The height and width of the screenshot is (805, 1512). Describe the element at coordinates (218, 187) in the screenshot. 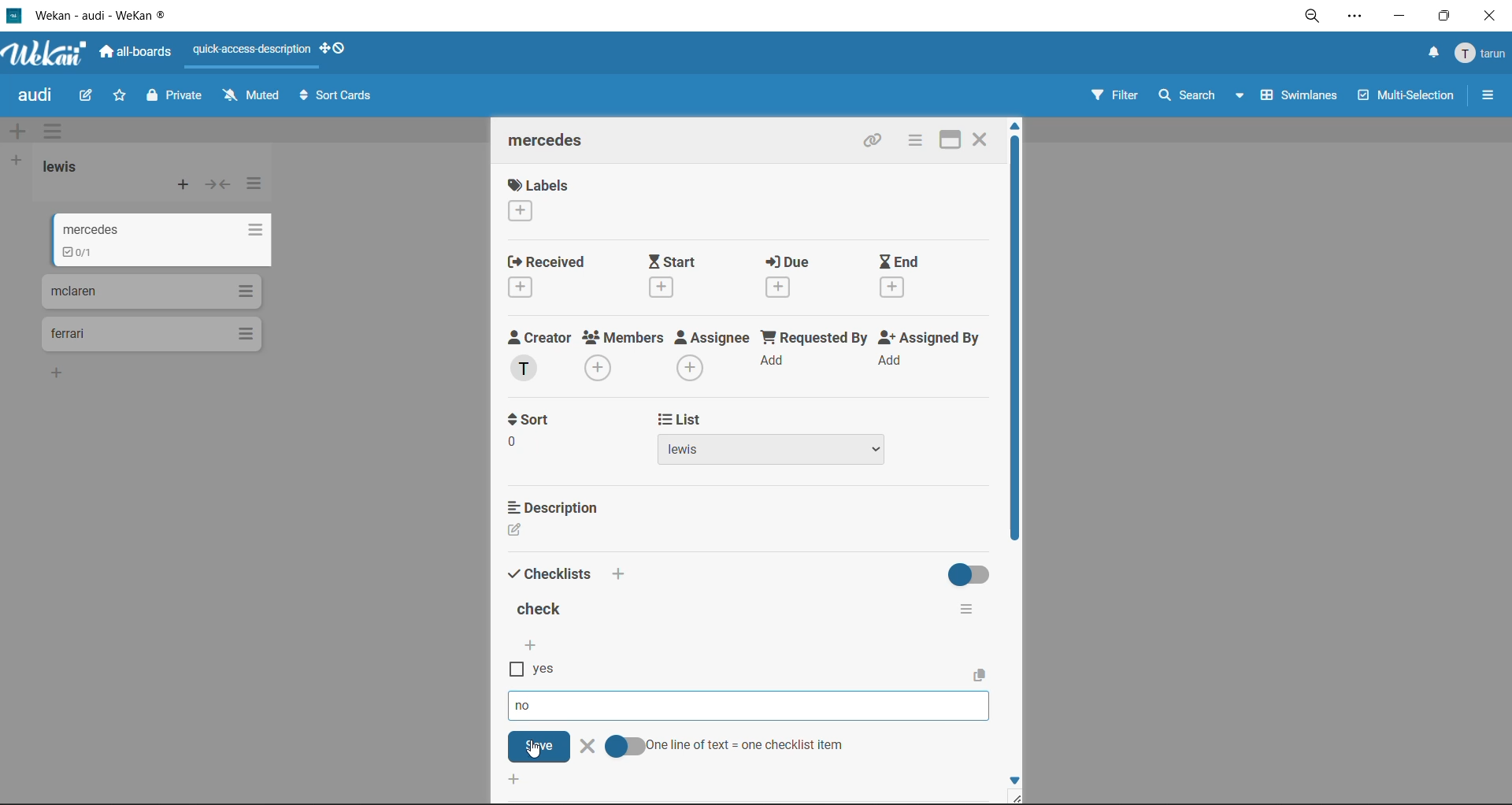

I see `collapse` at that location.